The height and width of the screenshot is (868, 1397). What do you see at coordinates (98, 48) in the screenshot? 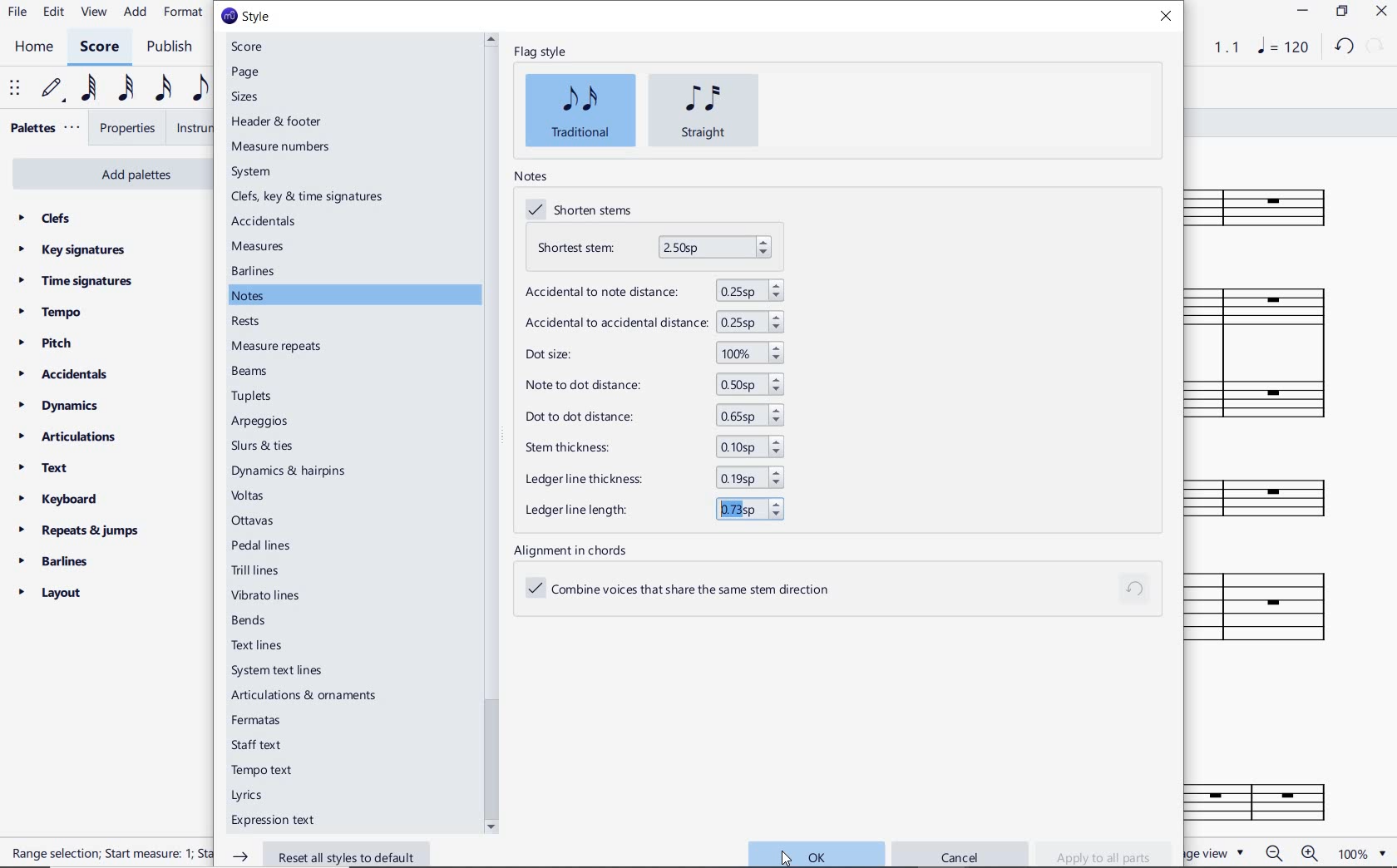
I see `score` at bounding box center [98, 48].